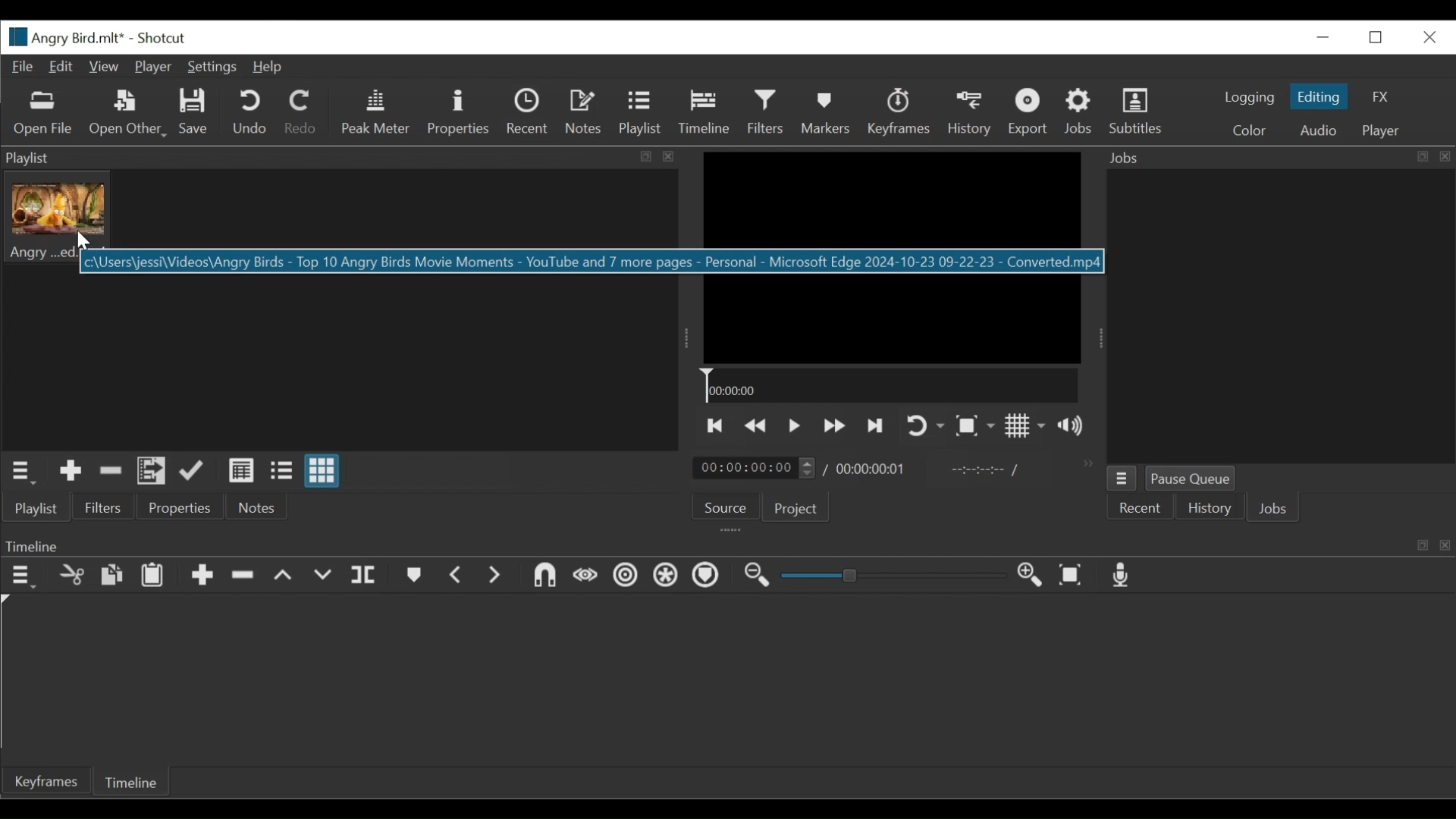 The image size is (1456, 819). Describe the element at coordinates (180, 507) in the screenshot. I see `Properties` at that location.